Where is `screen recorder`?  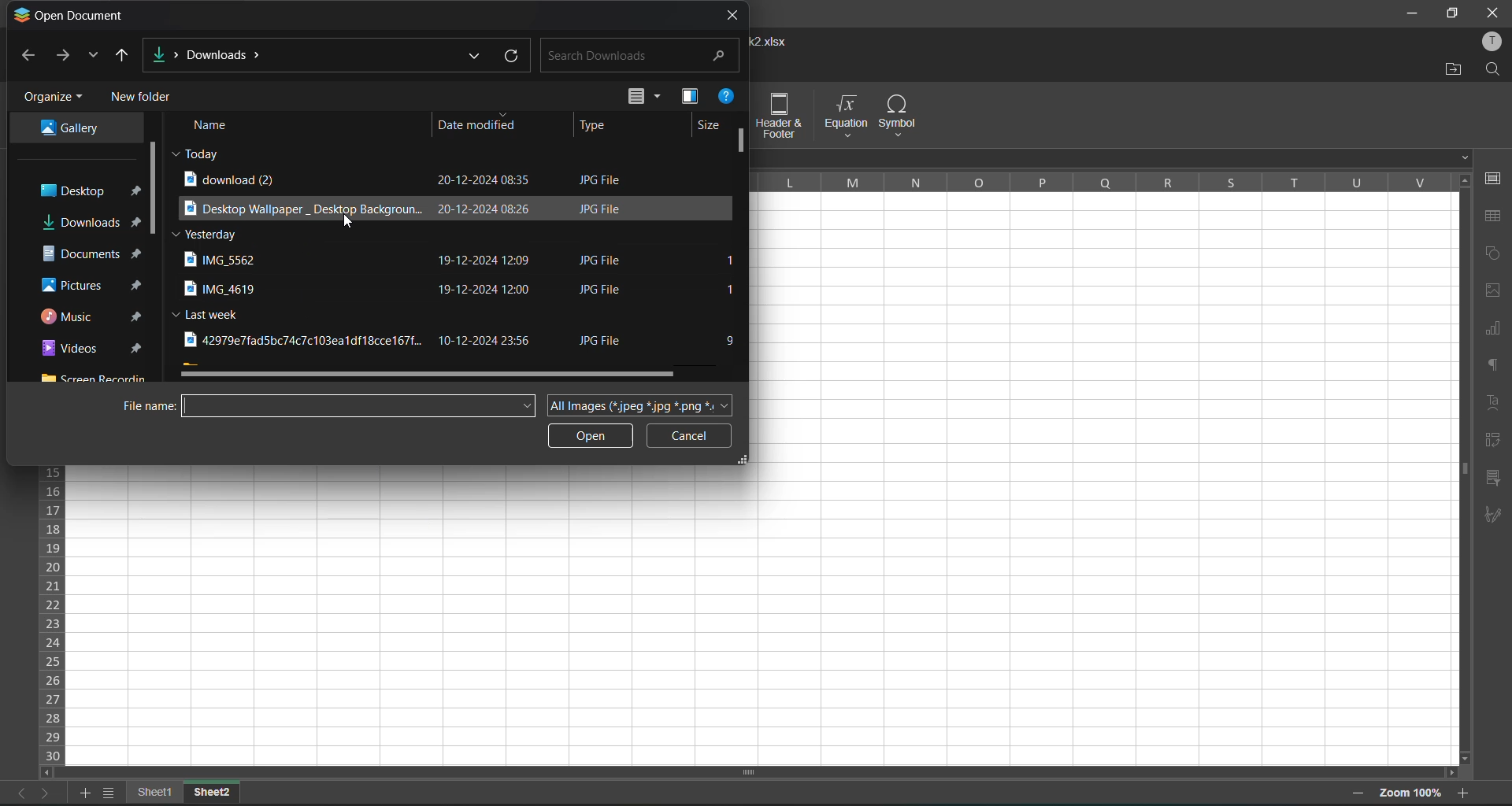
screen recorder is located at coordinates (94, 375).